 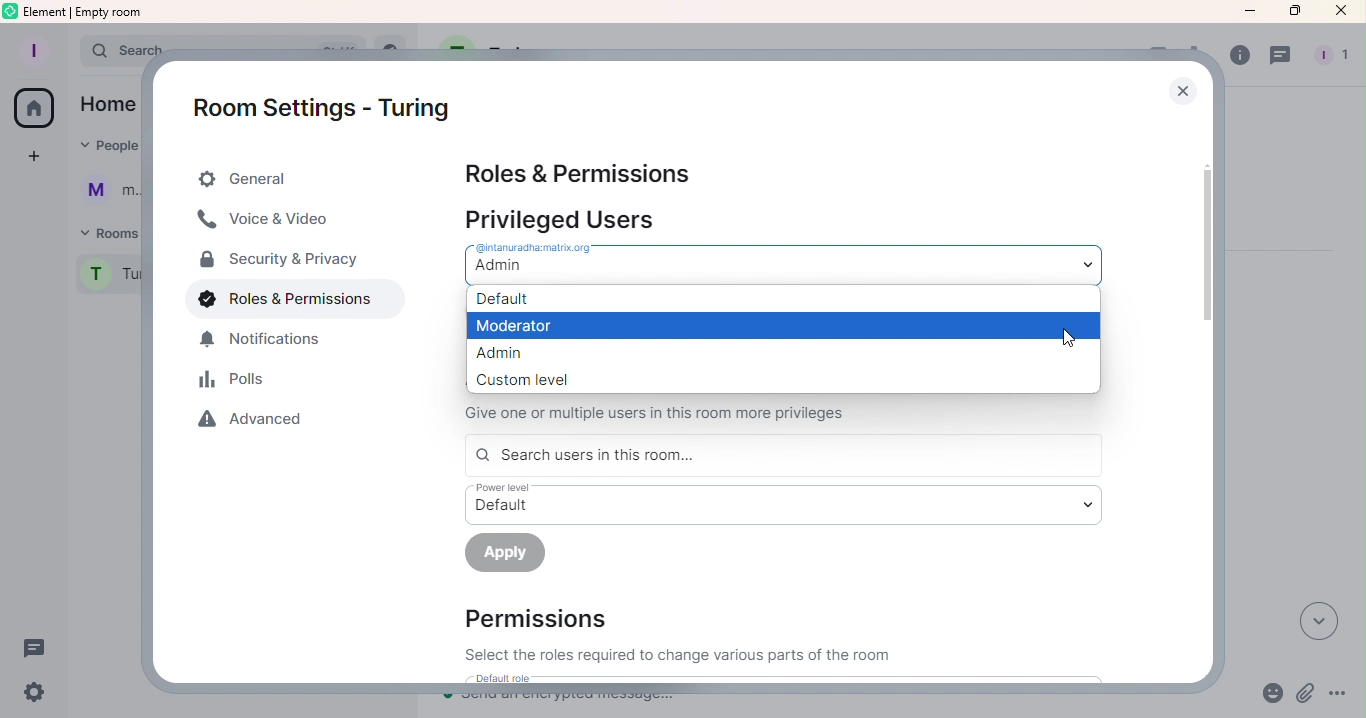 What do you see at coordinates (1236, 59) in the screenshot?
I see `Room info` at bounding box center [1236, 59].